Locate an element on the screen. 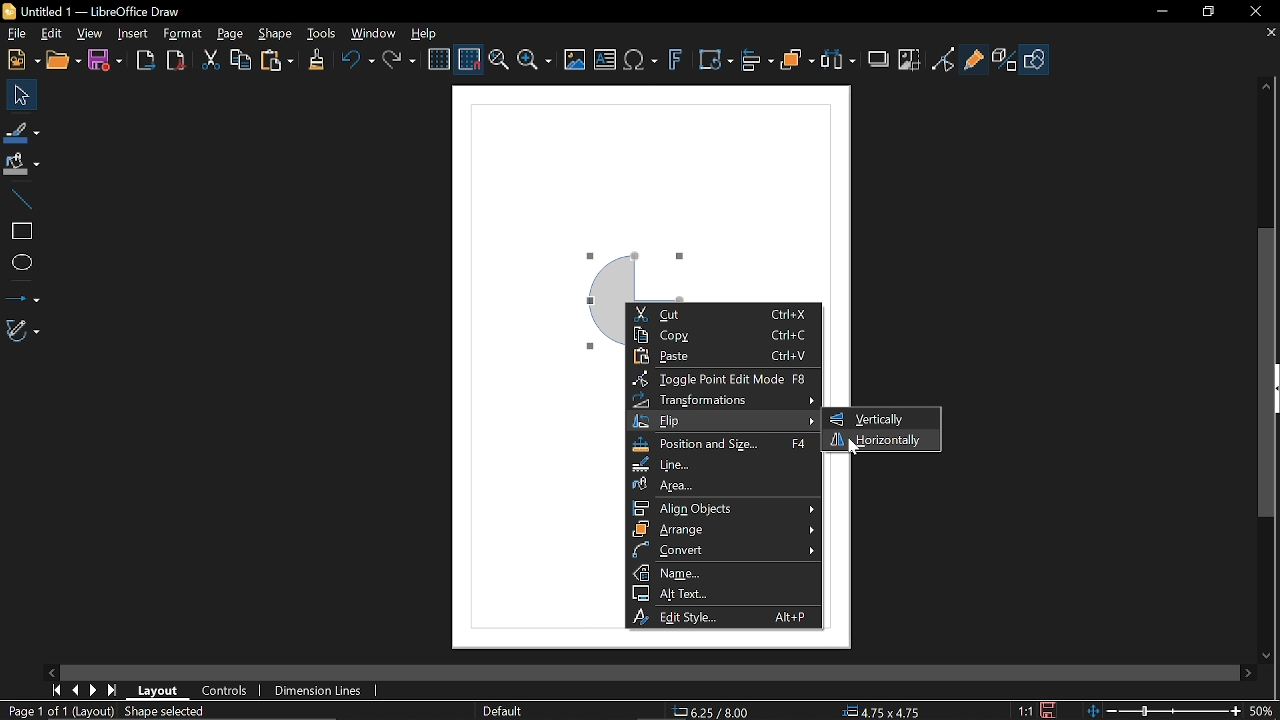 The image size is (1280, 720). Crop is located at coordinates (909, 60).